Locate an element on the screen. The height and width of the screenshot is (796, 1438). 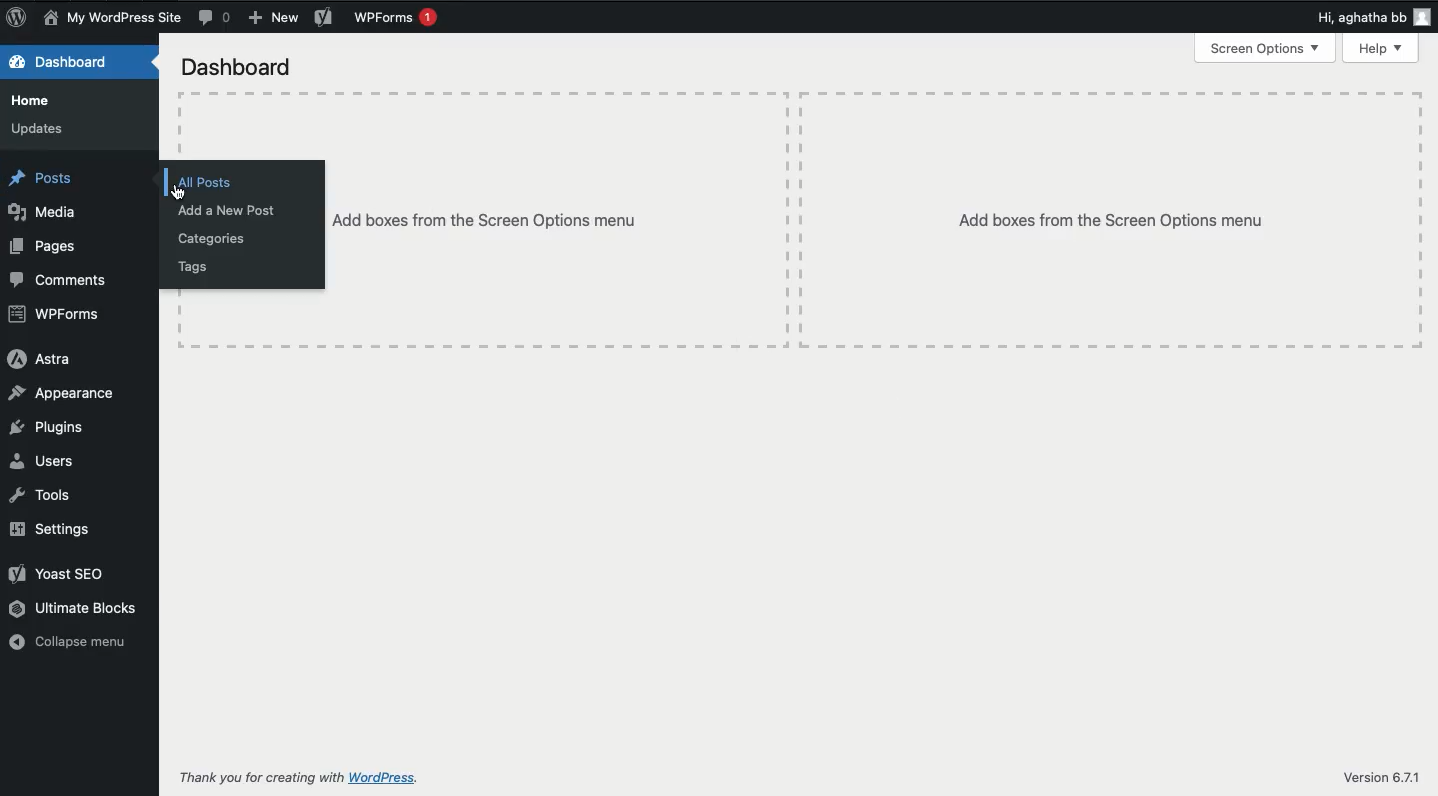
Help is located at coordinates (1380, 48).